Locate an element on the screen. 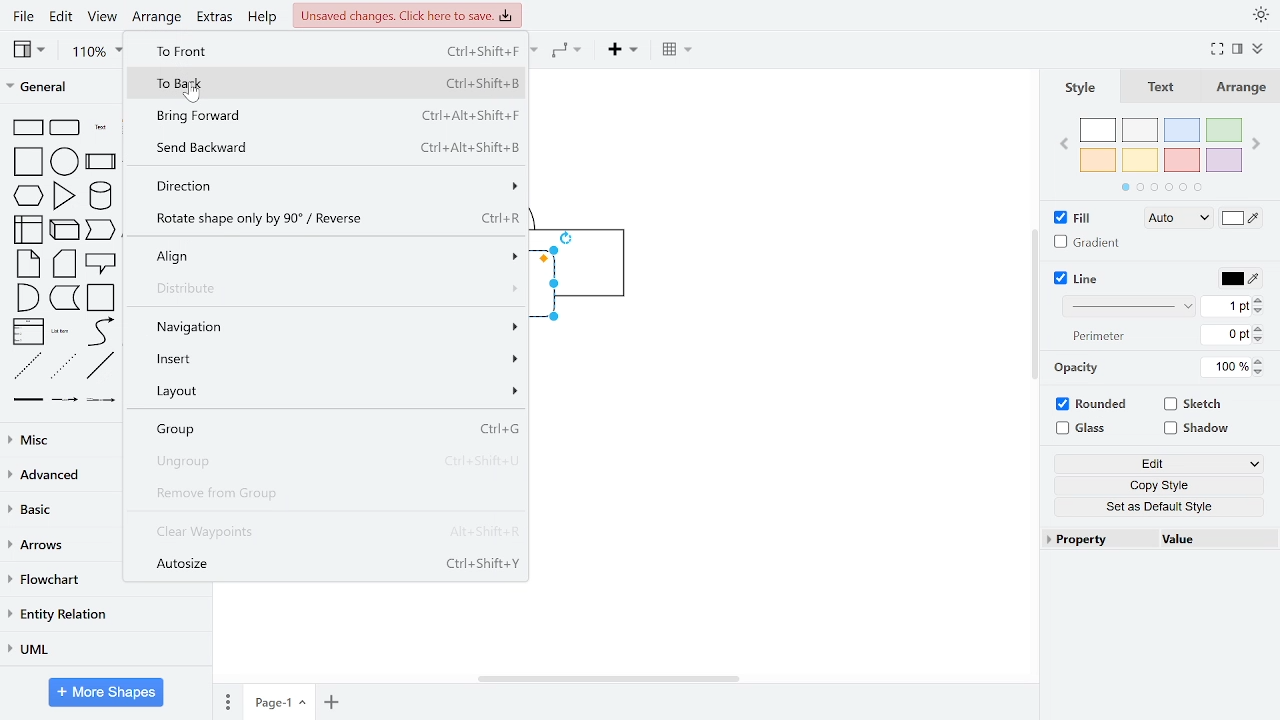 The height and width of the screenshot is (720, 1280). format is located at coordinates (1240, 48).